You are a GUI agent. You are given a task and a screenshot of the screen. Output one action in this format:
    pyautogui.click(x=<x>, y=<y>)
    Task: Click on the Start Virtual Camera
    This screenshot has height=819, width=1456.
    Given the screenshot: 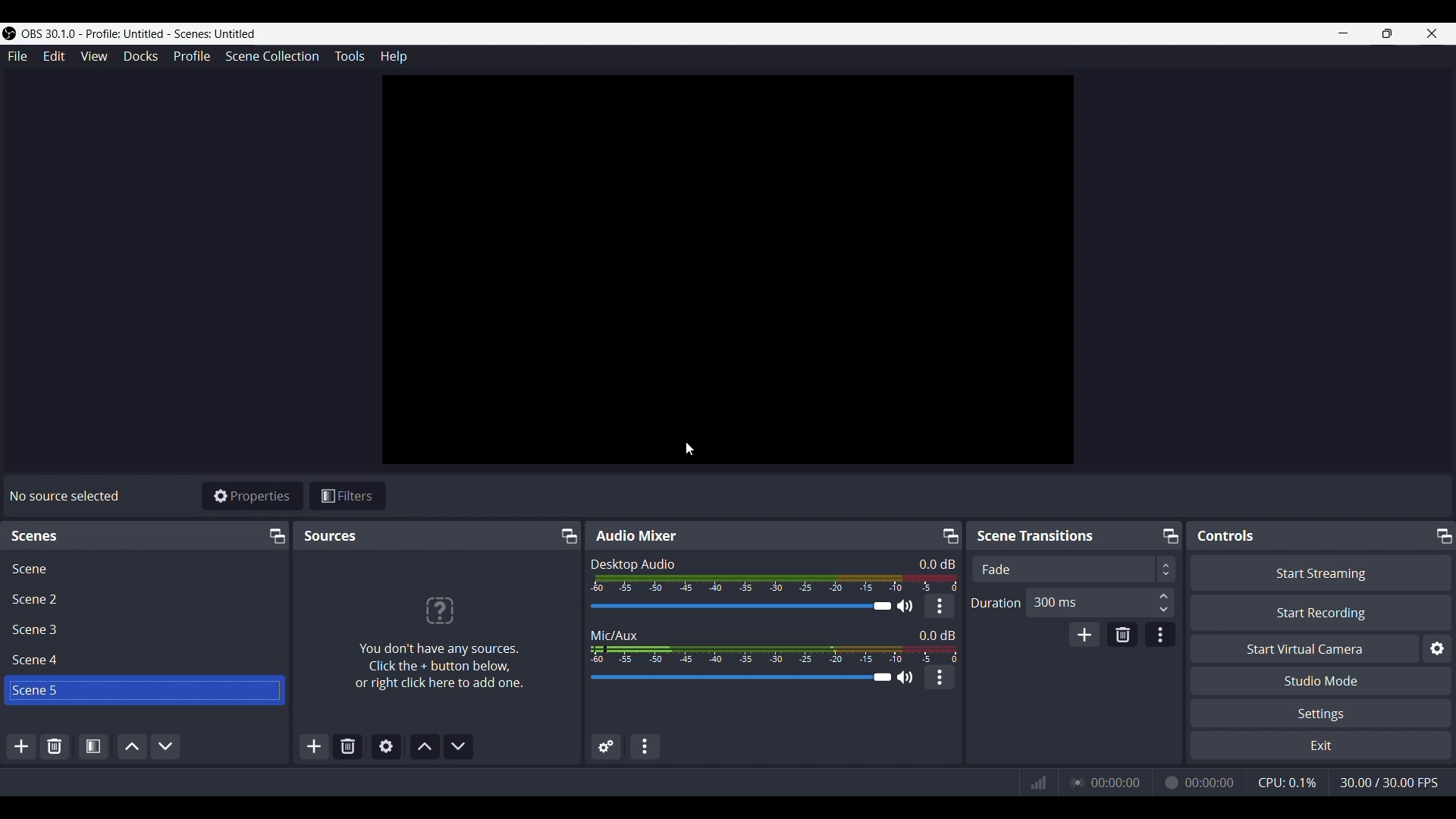 What is the action you would take?
    pyautogui.click(x=1305, y=648)
    